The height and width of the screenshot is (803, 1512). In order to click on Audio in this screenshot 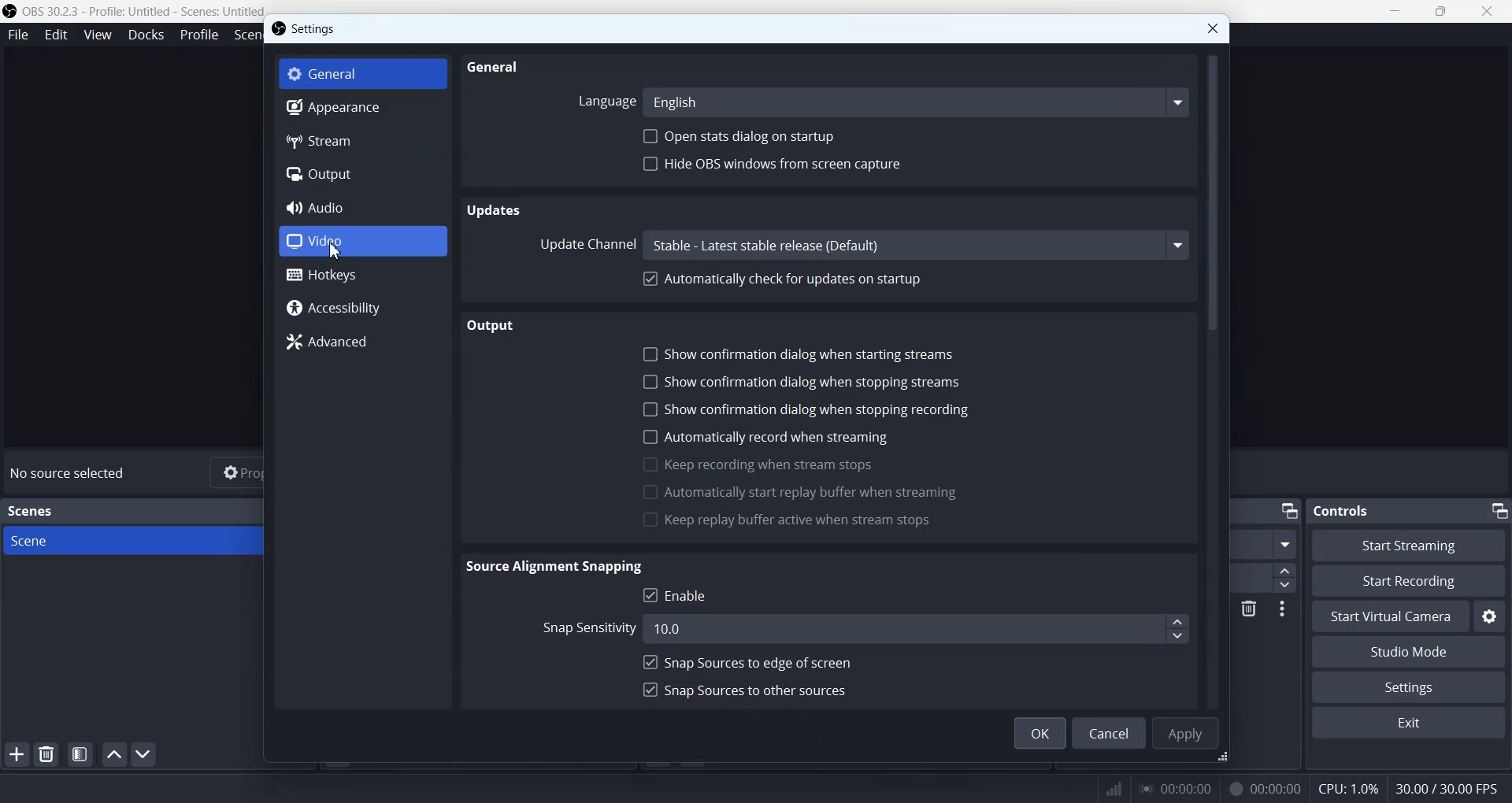, I will do `click(361, 208)`.